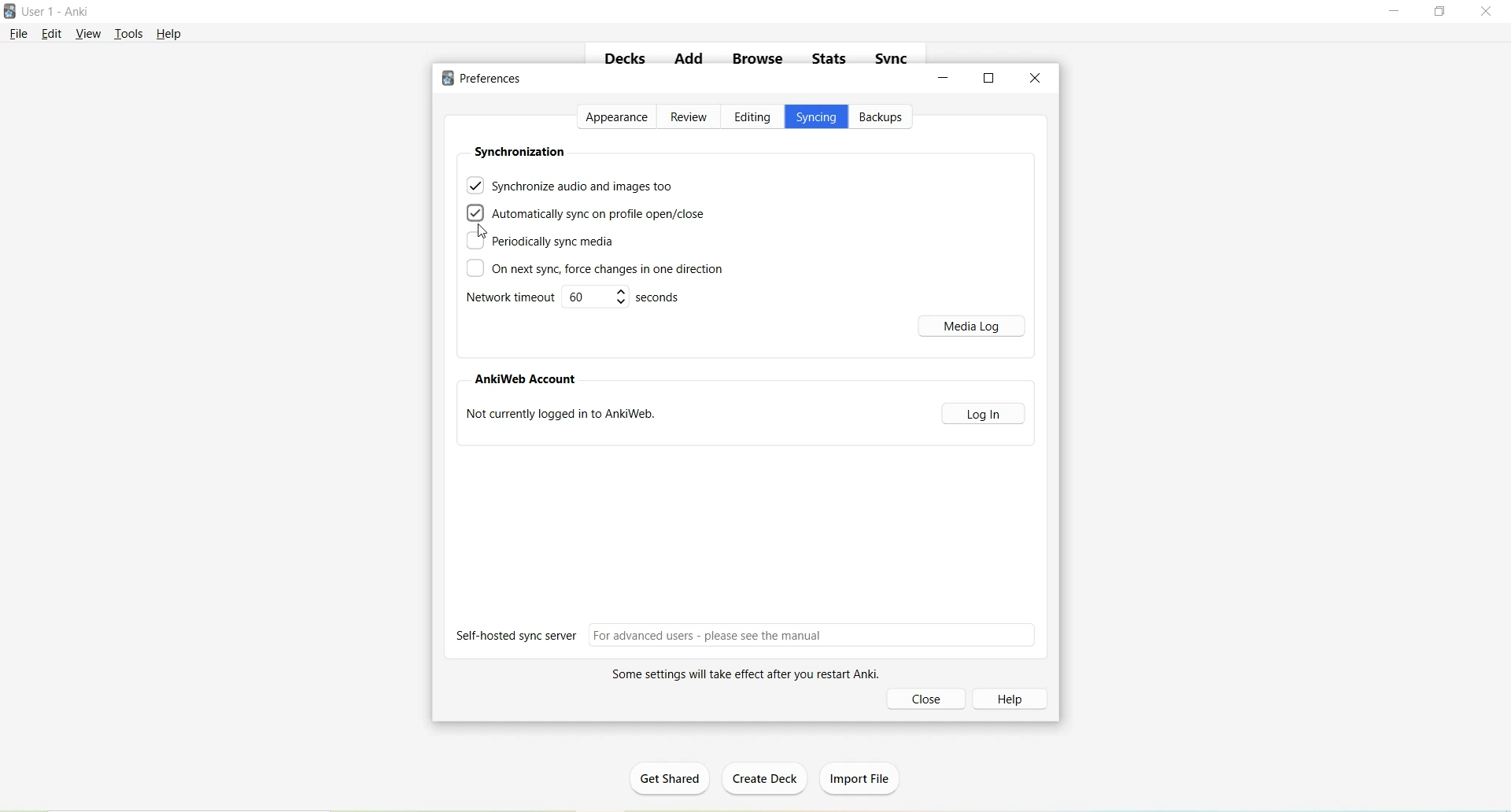  Describe the element at coordinates (989, 77) in the screenshot. I see `Maximize` at that location.